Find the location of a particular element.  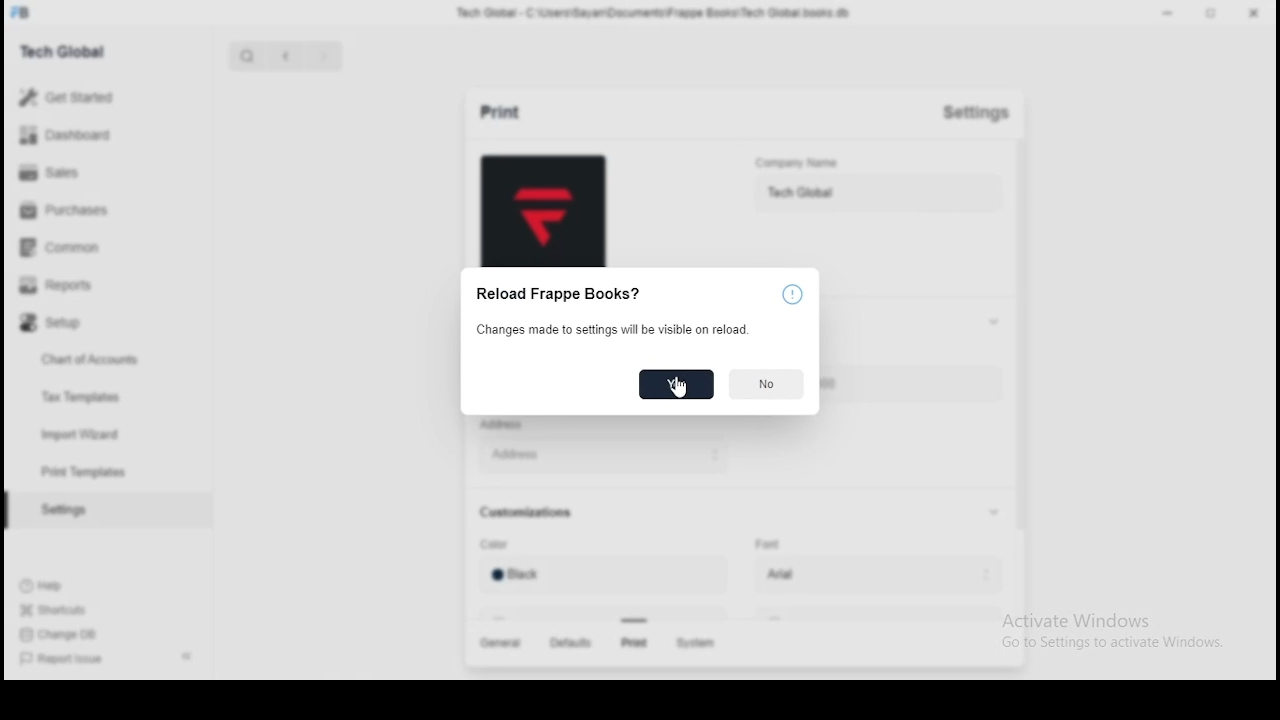

Print  is located at coordinates (632, 643).